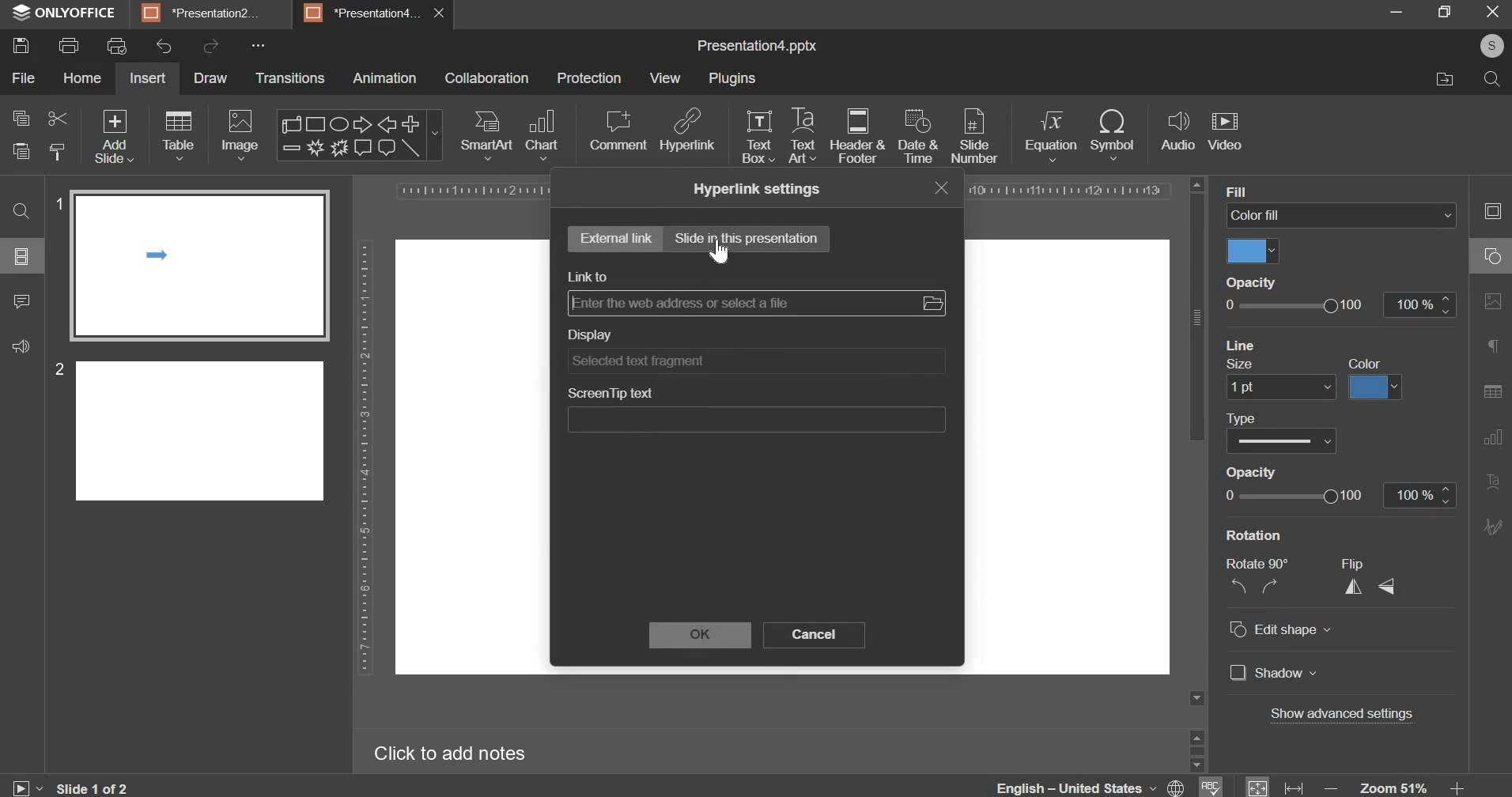 Image resolution: width=1512 pixels, height=797 pixels. I want to click on view, so click(663, 78).